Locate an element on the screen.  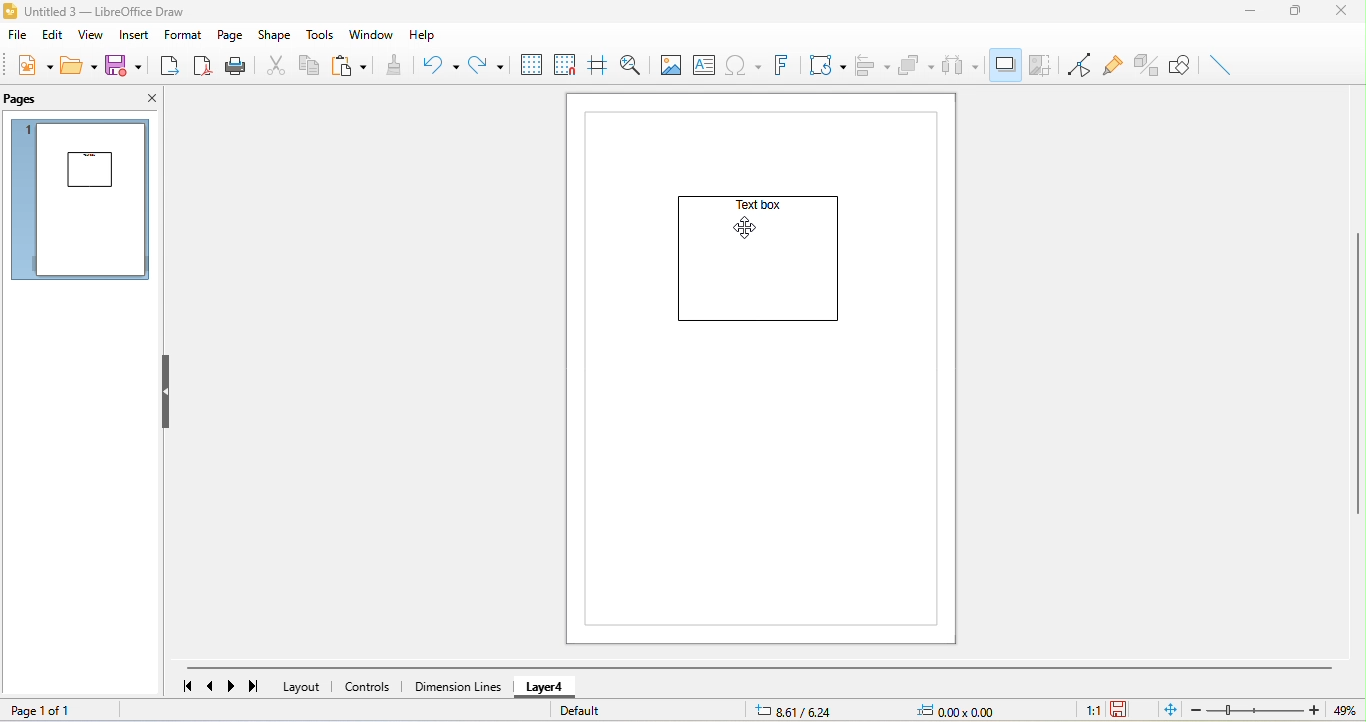
page is located at coordinates (228, 34).